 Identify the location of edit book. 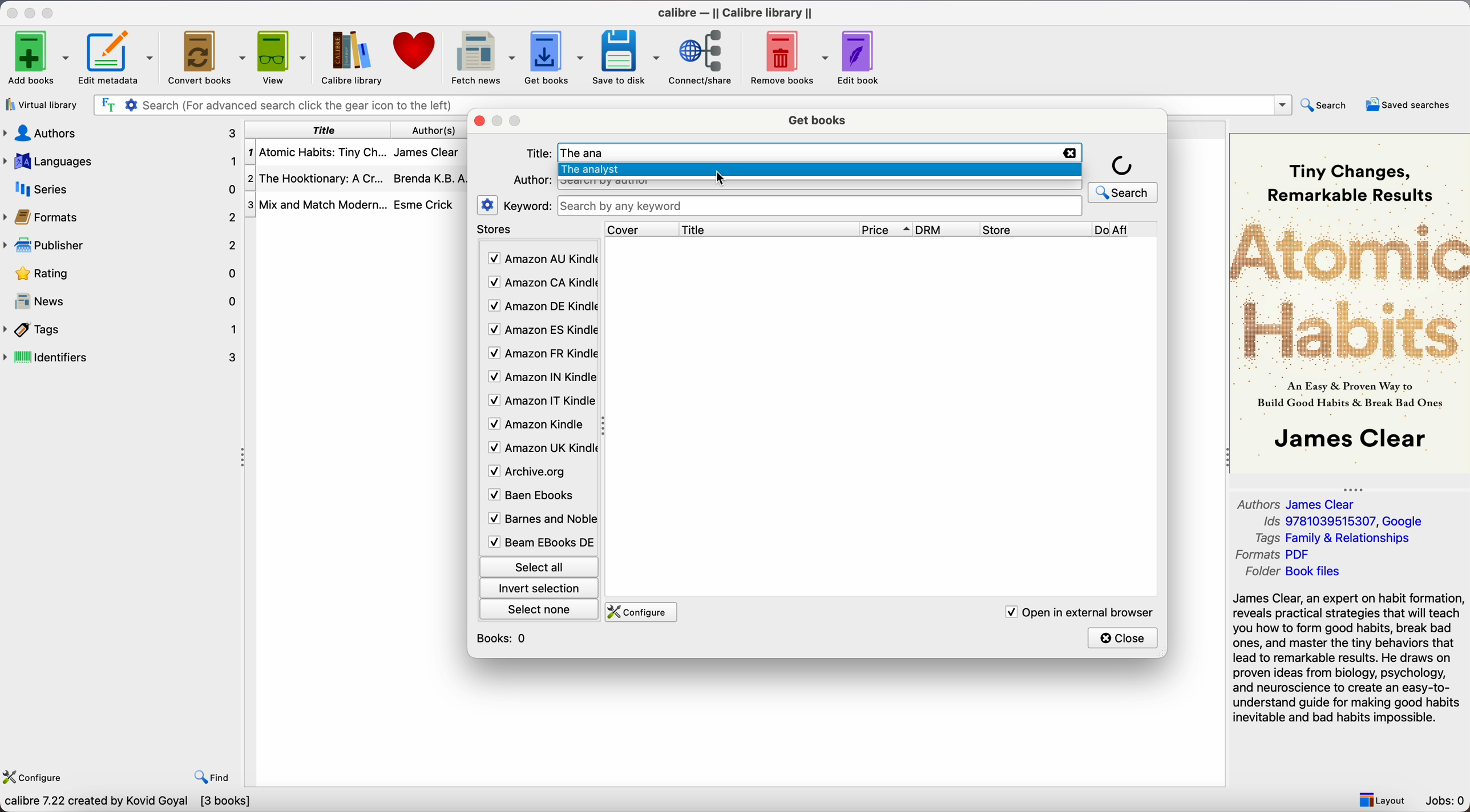
(860, 56).